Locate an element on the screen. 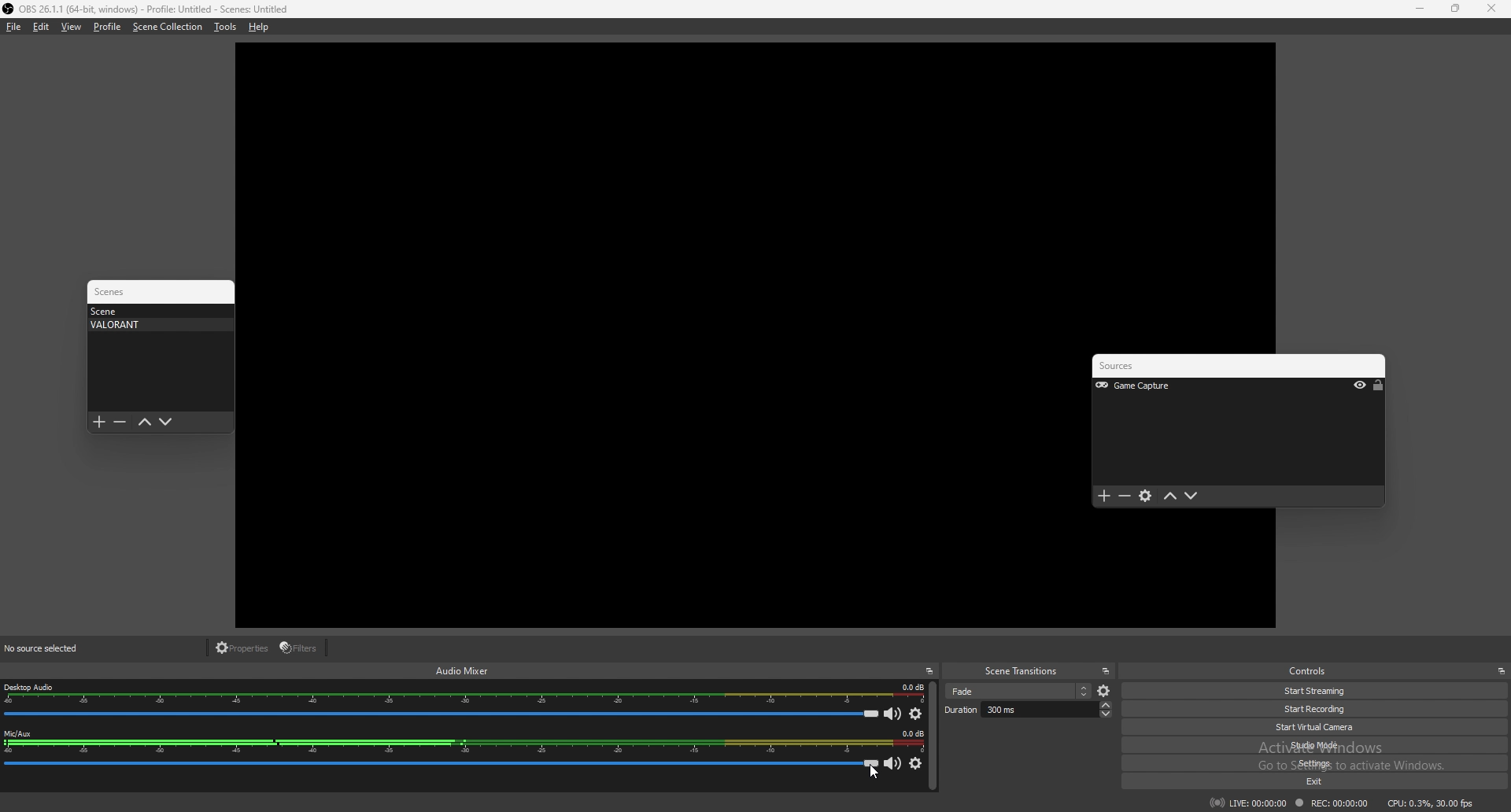 This screenshot has height=812, width=1511. VALORANT is located at coordinates (156, 325).